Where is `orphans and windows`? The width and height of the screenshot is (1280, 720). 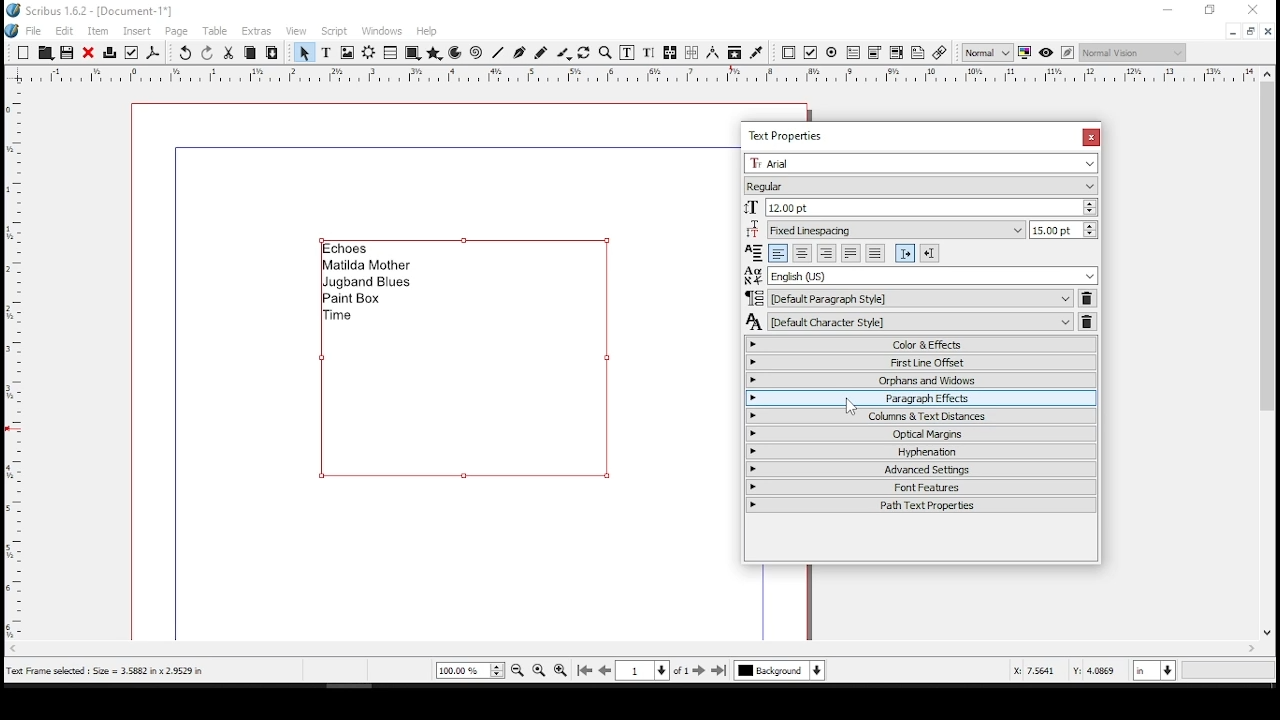 orphans and windows is located at coordinates (922, 380).